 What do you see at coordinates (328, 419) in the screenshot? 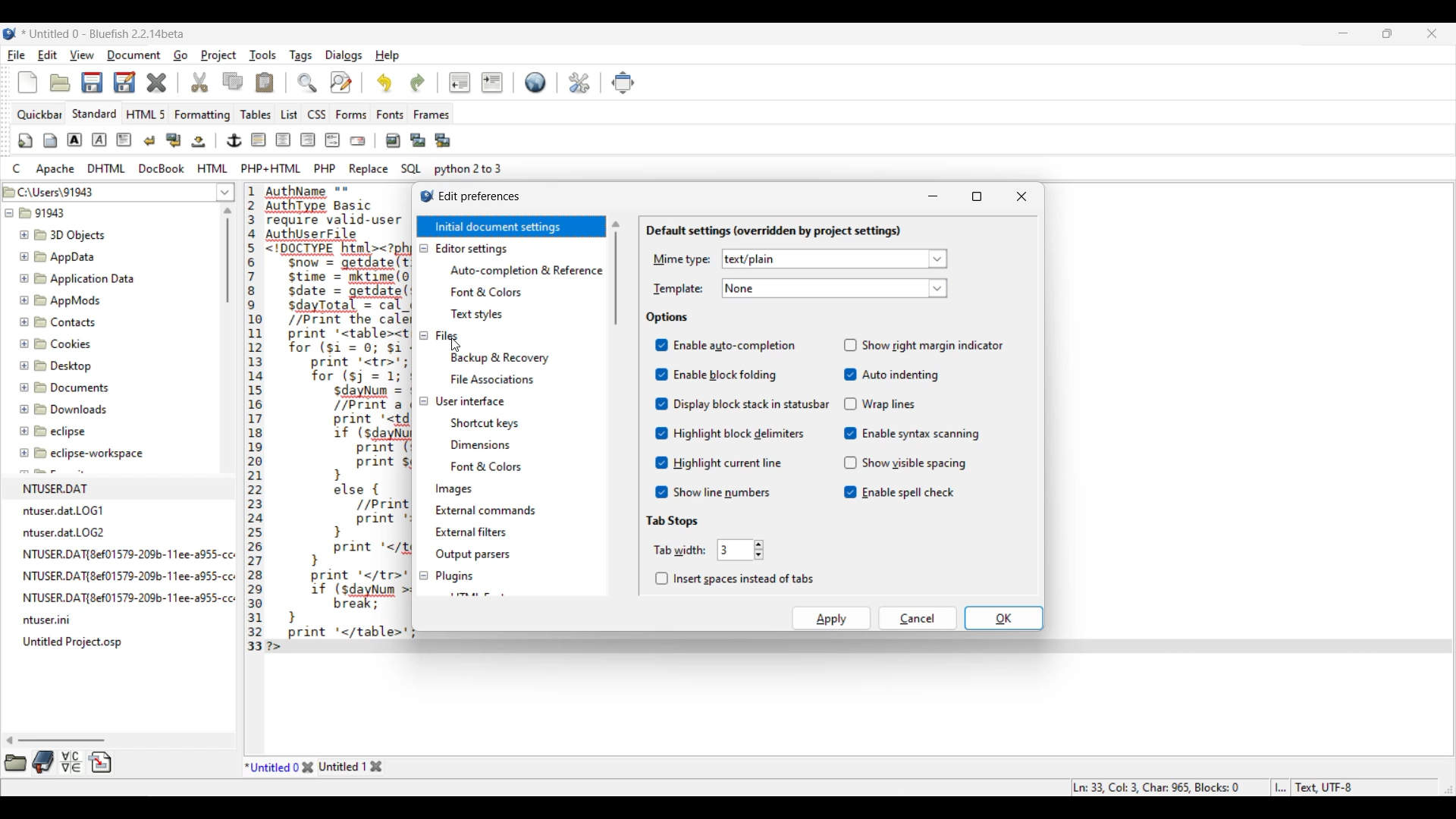
I see `Current code` at bounding box center [328, 419].